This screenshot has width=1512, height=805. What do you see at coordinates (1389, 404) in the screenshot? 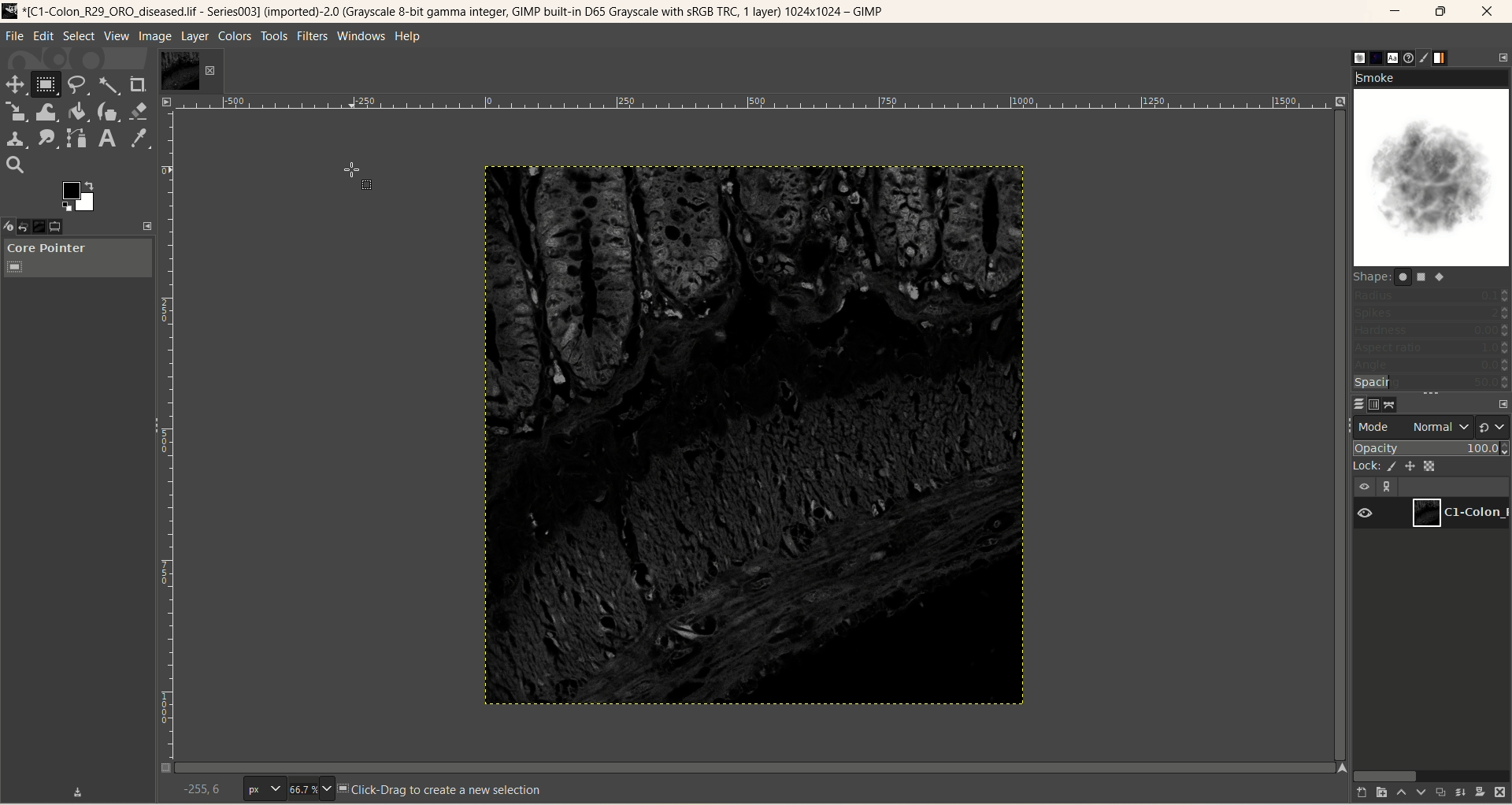
I see `path` at bounding box center [1389, 404].